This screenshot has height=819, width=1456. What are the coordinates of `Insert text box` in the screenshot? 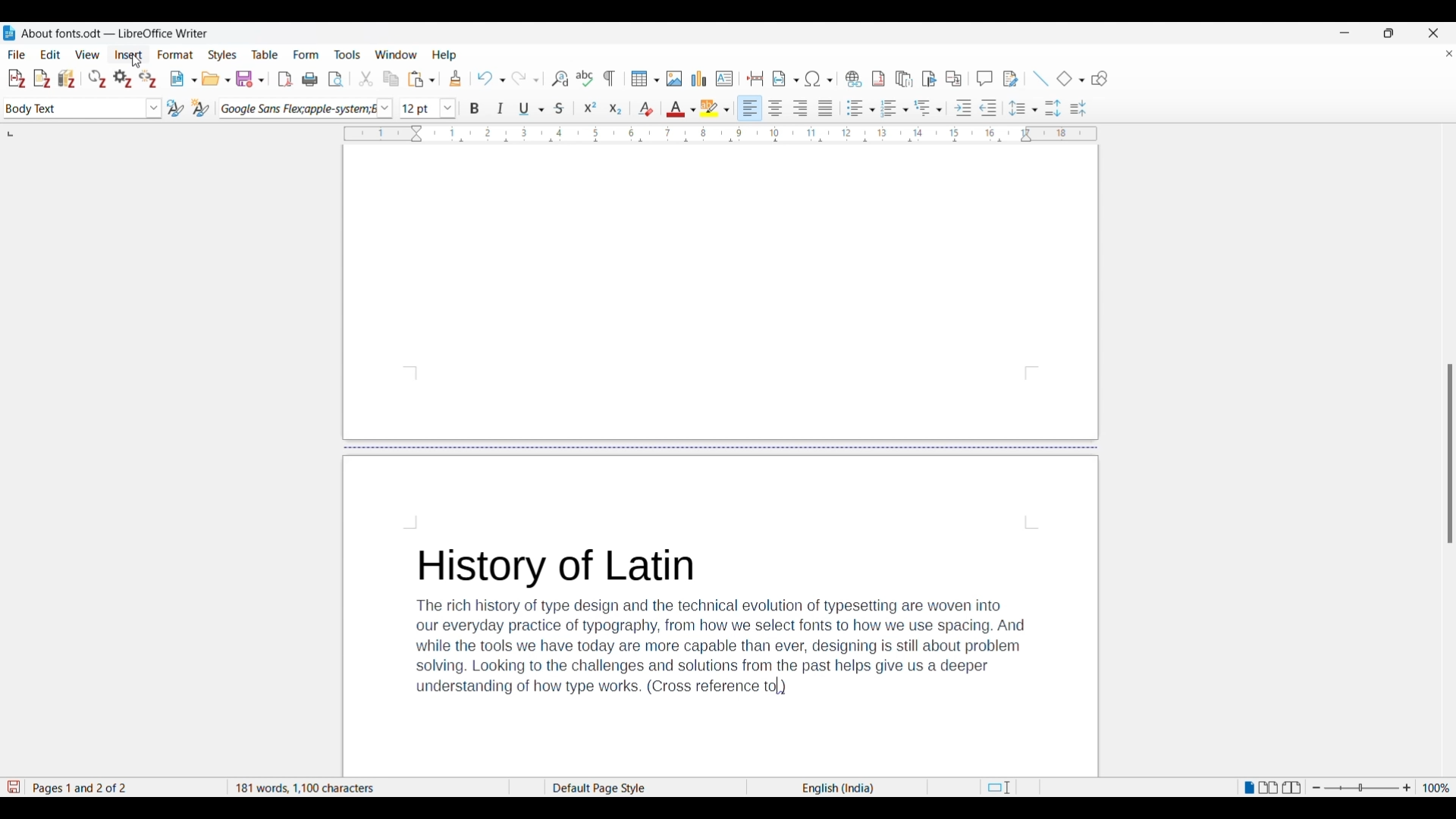 It's located at (725, 79).